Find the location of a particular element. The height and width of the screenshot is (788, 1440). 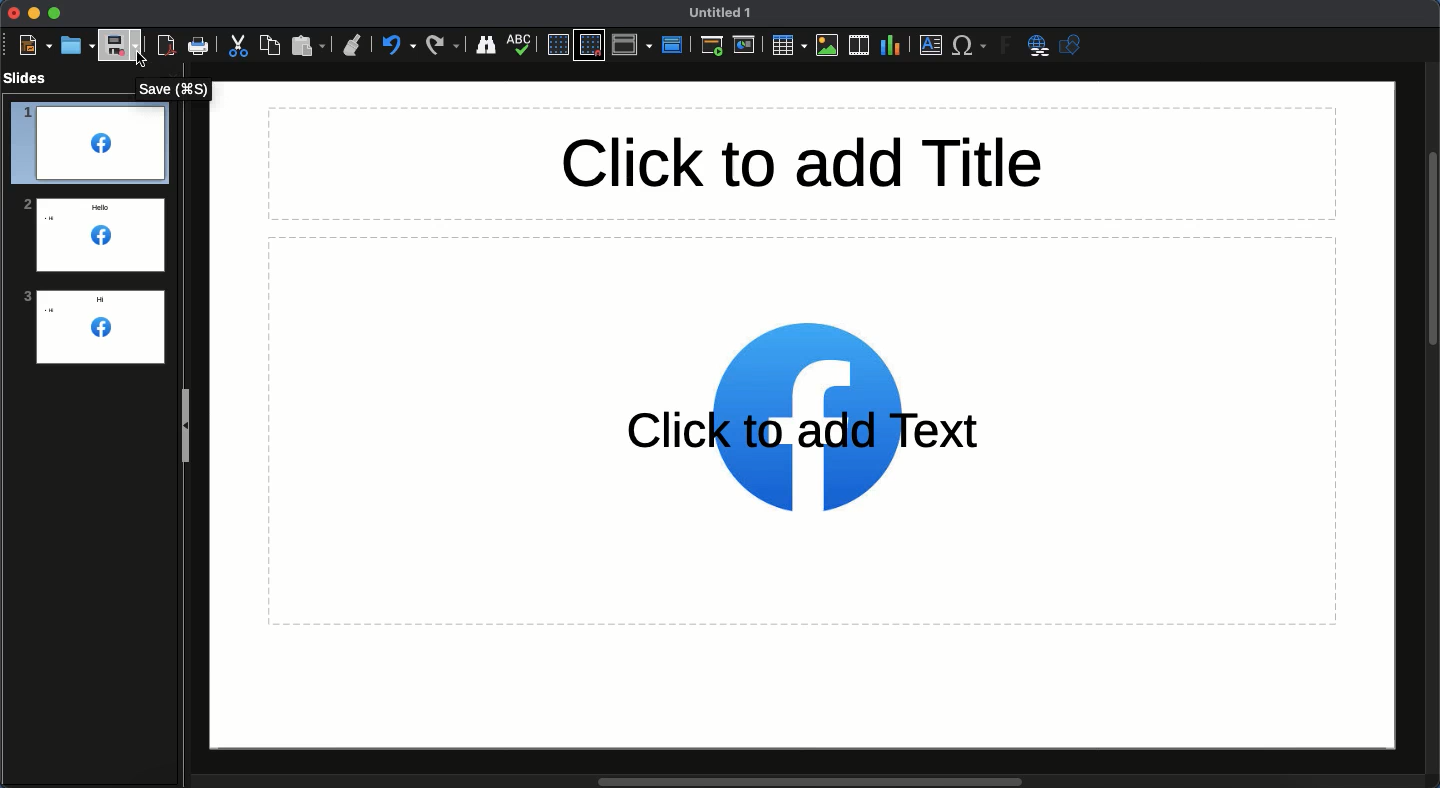

Characters is located at coordinates (971, 47).